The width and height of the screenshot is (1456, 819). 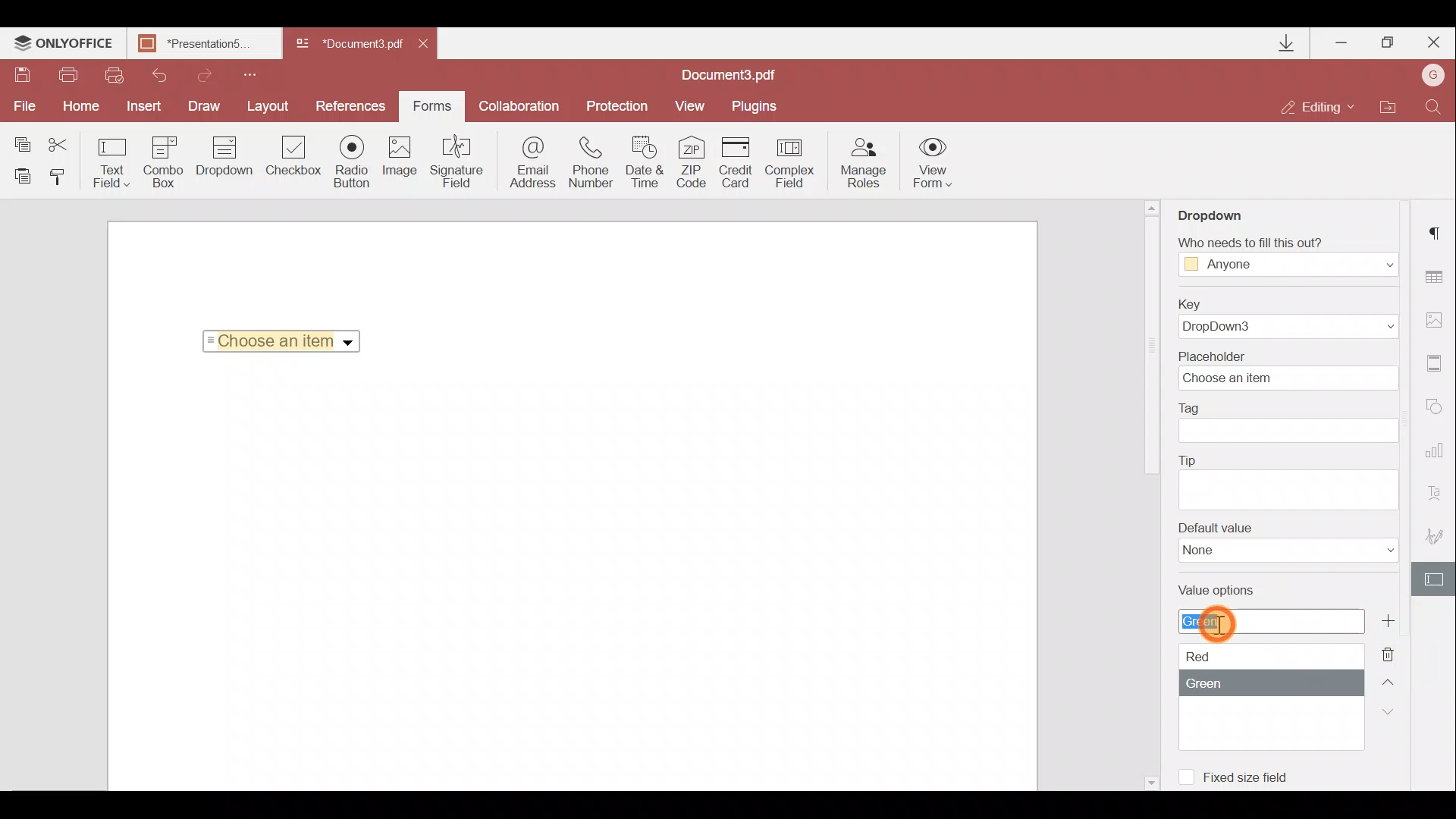 I want to click on Document name, so click(x=736, y=74).